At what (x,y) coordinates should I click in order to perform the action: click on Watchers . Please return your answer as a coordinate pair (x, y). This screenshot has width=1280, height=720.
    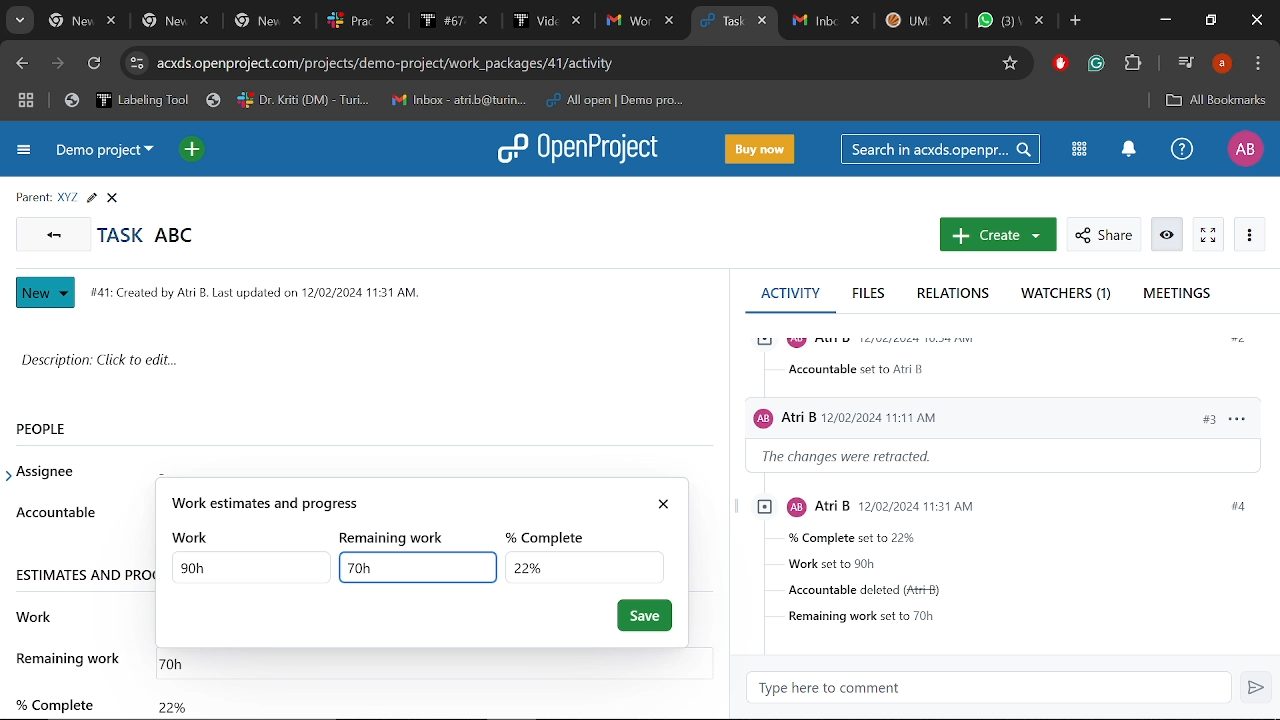
    Looking at the image, I should click on (1069, 295).